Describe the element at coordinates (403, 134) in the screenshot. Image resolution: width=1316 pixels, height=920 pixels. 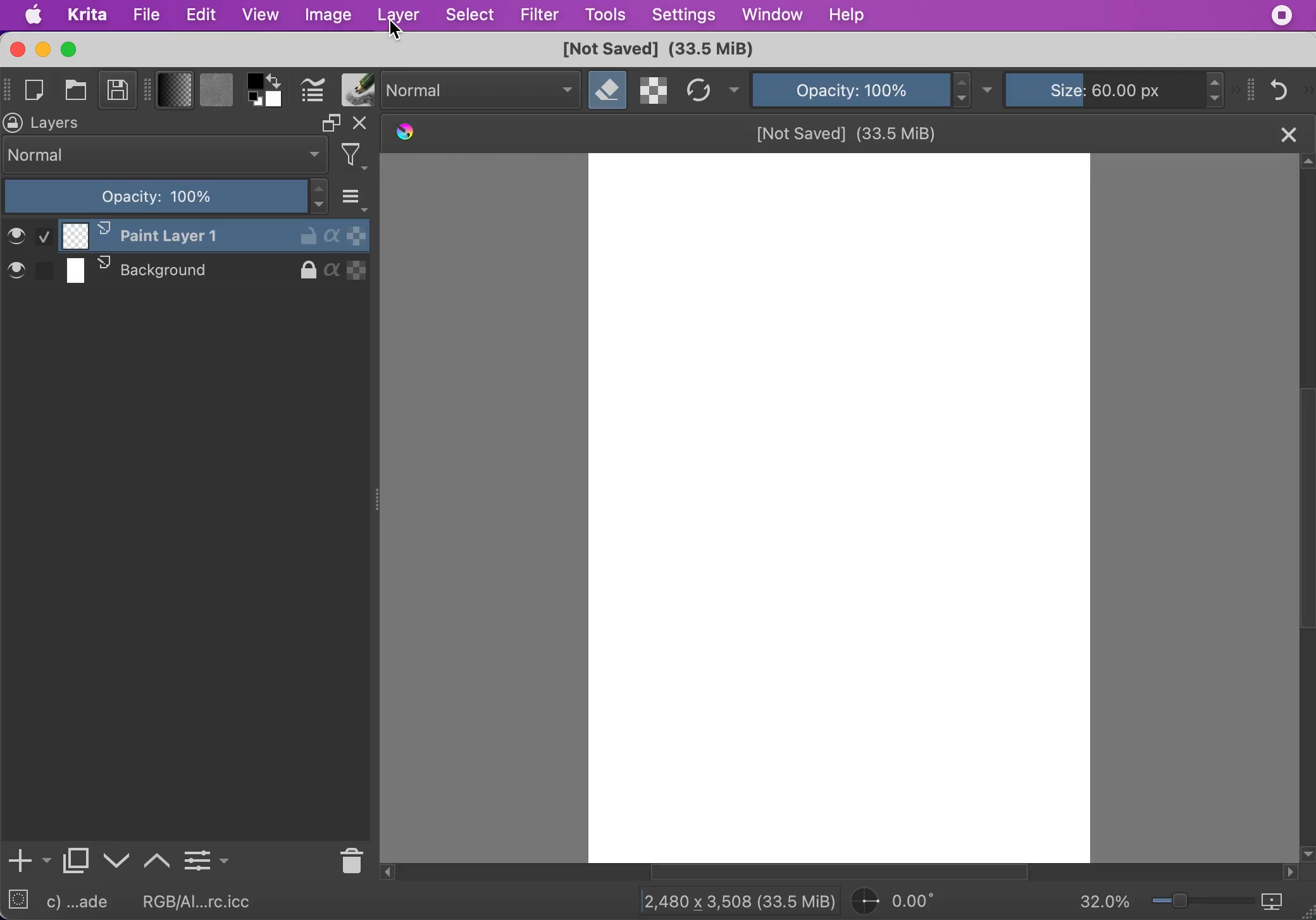
I see `krita logo` at that location.